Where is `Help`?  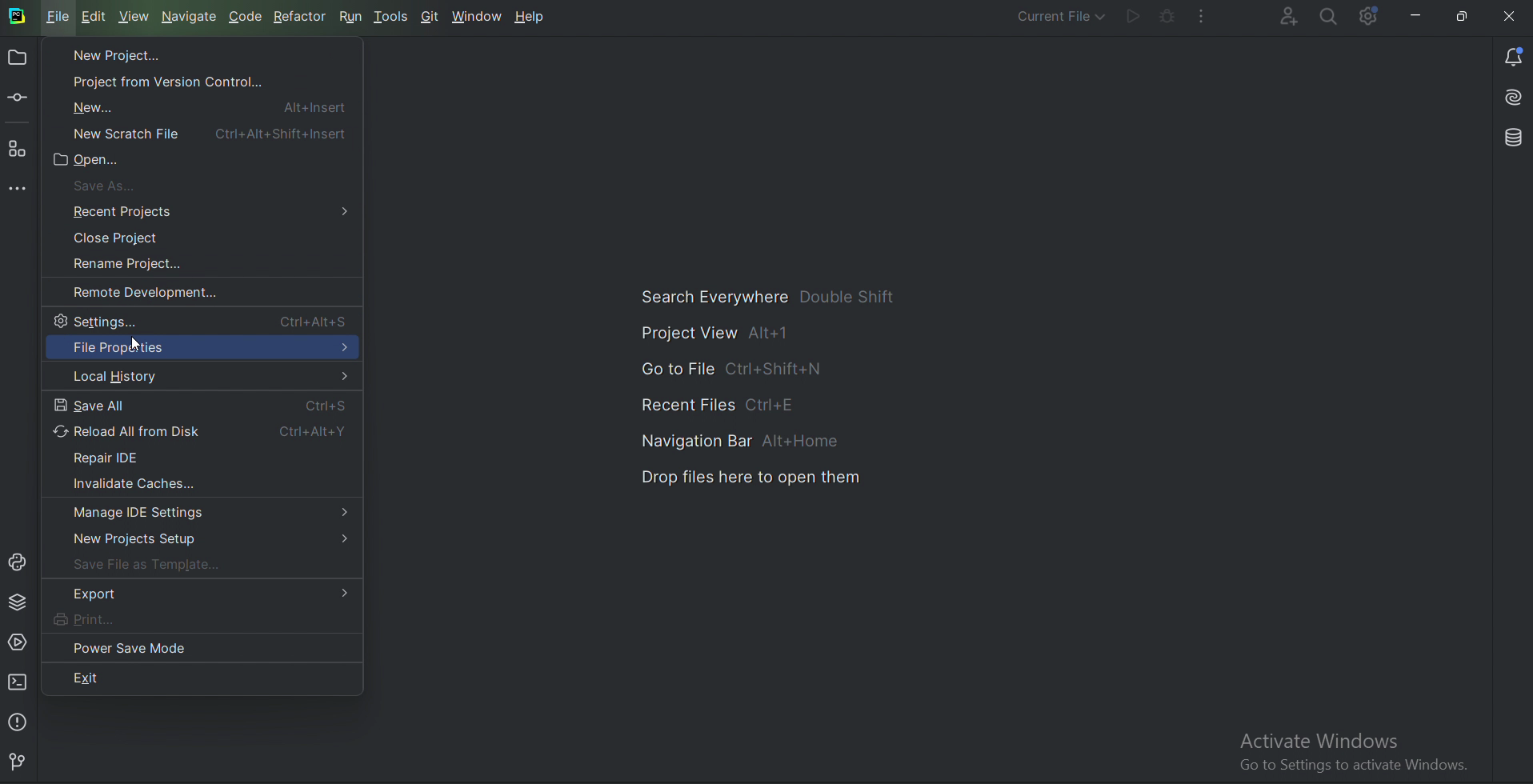
Help is located at coordinates (533, 18).